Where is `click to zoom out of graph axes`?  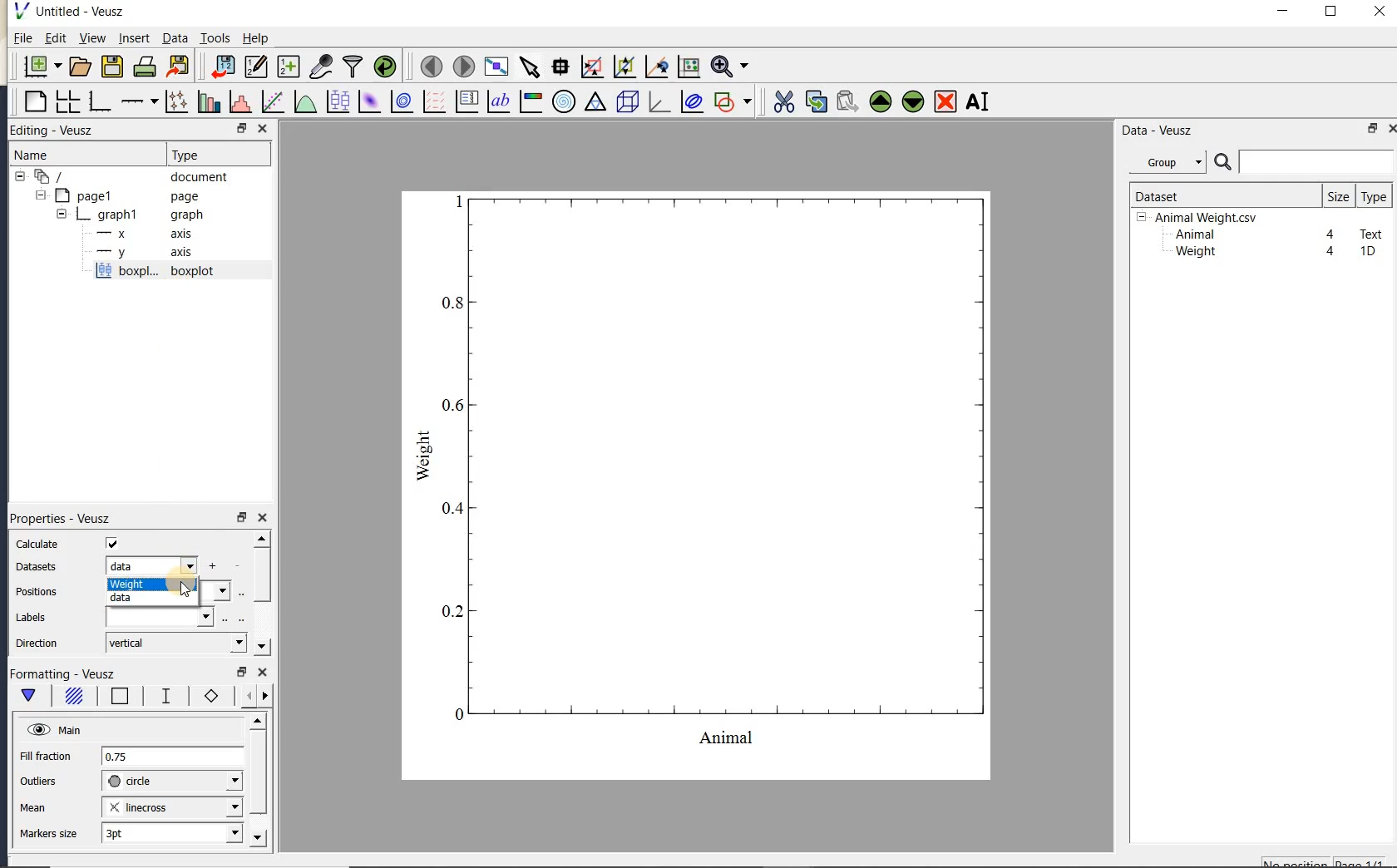 click to zoom out of graph axes is located at coordinates (625, 66).